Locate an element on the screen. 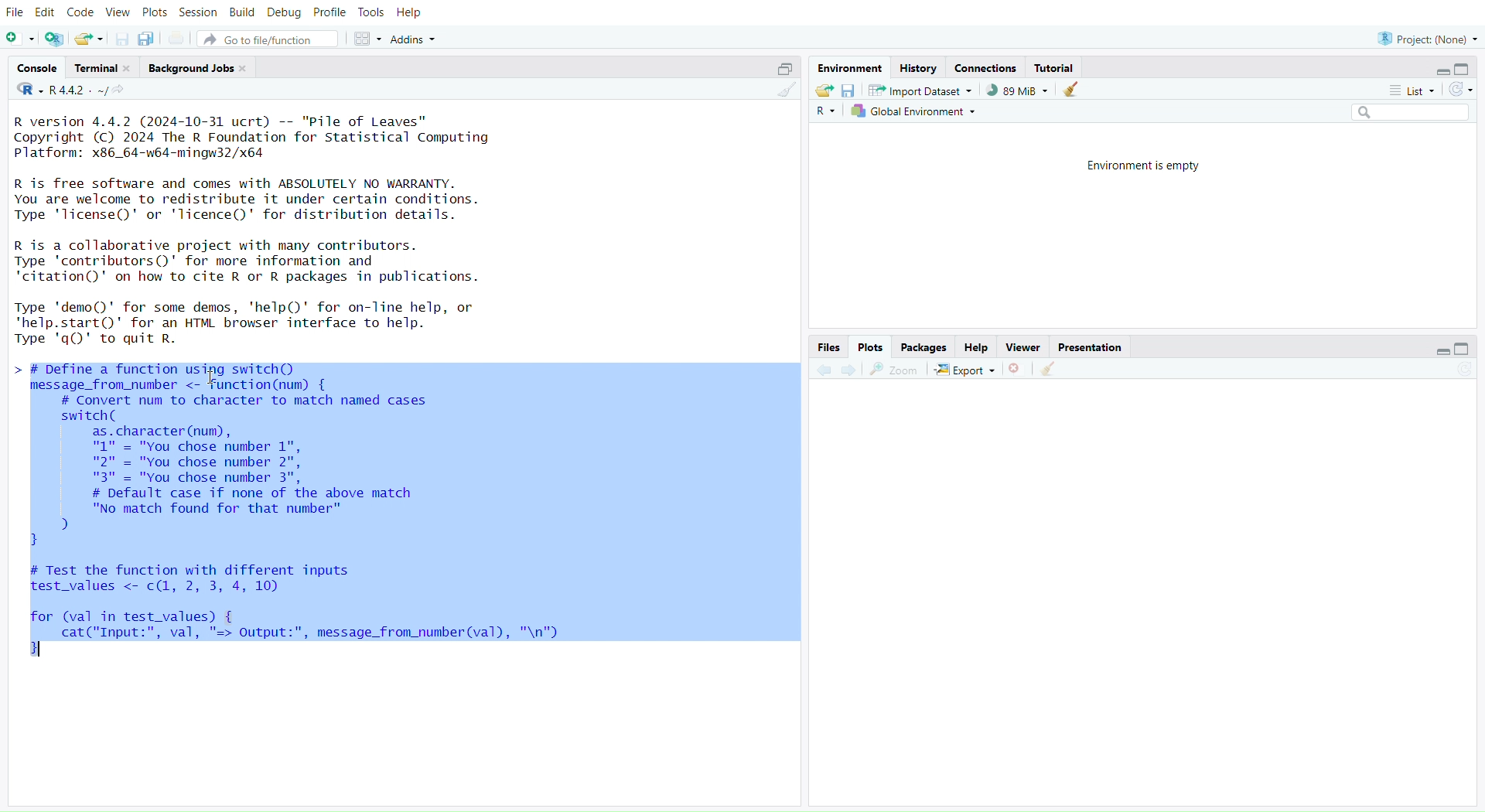 The image size is (1485, 812). Current console (Ctrl + L) is located at coordinates (1074, 92).